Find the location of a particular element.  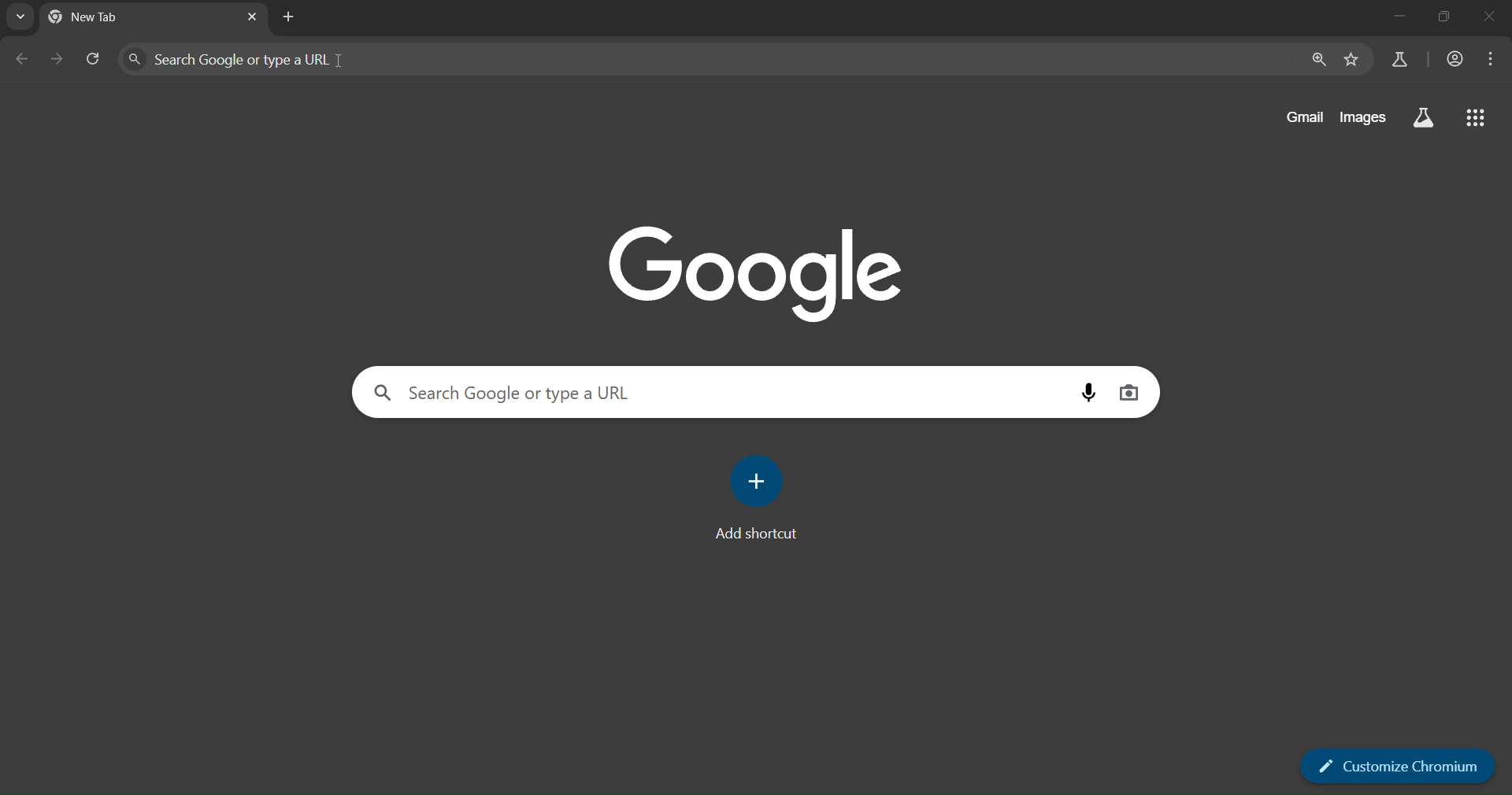

Minimize is located at coordinates (1398, 16).